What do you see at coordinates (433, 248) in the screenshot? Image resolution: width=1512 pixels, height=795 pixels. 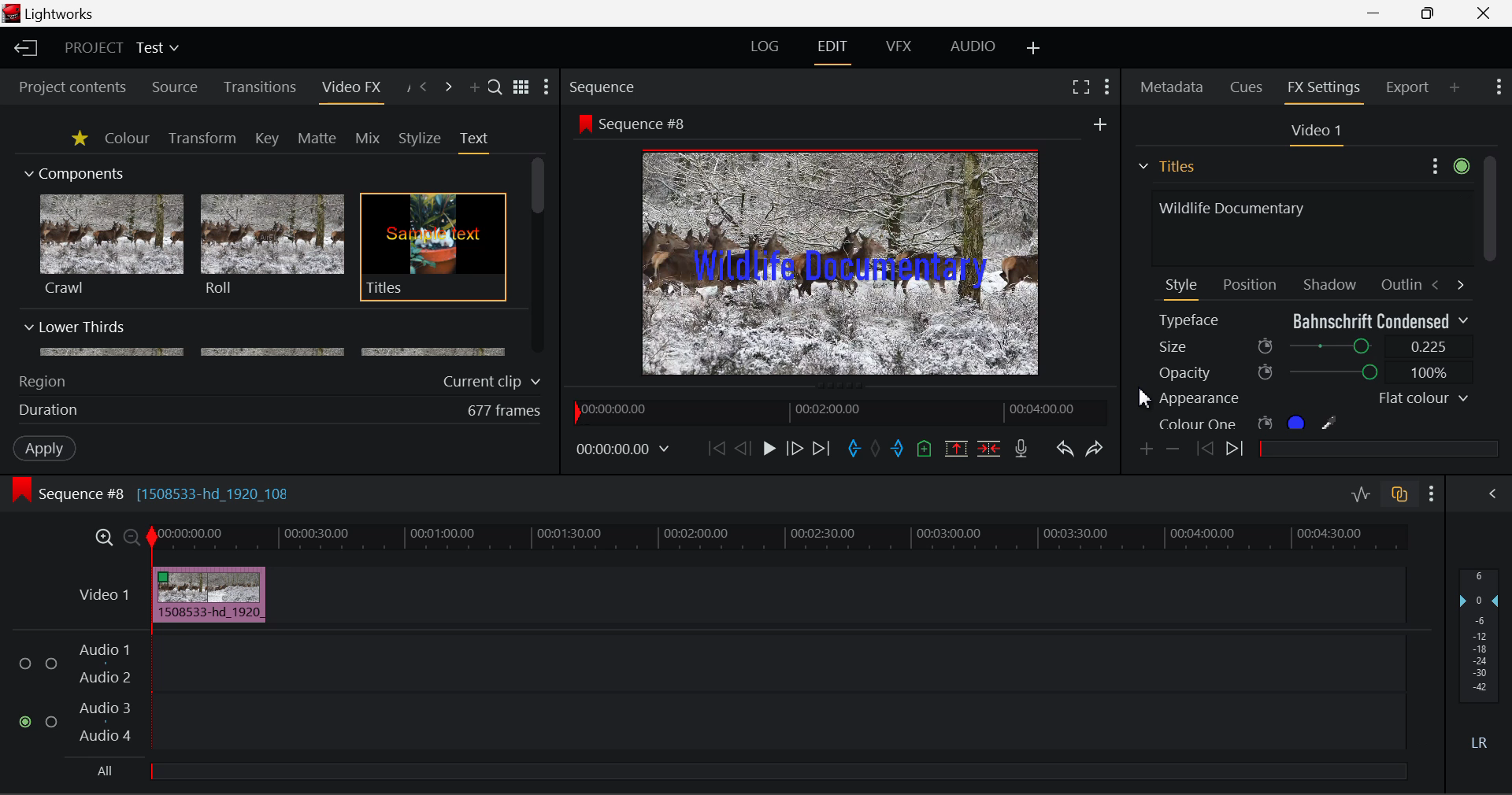 I see `Titles` at bounding box center [433, 248].